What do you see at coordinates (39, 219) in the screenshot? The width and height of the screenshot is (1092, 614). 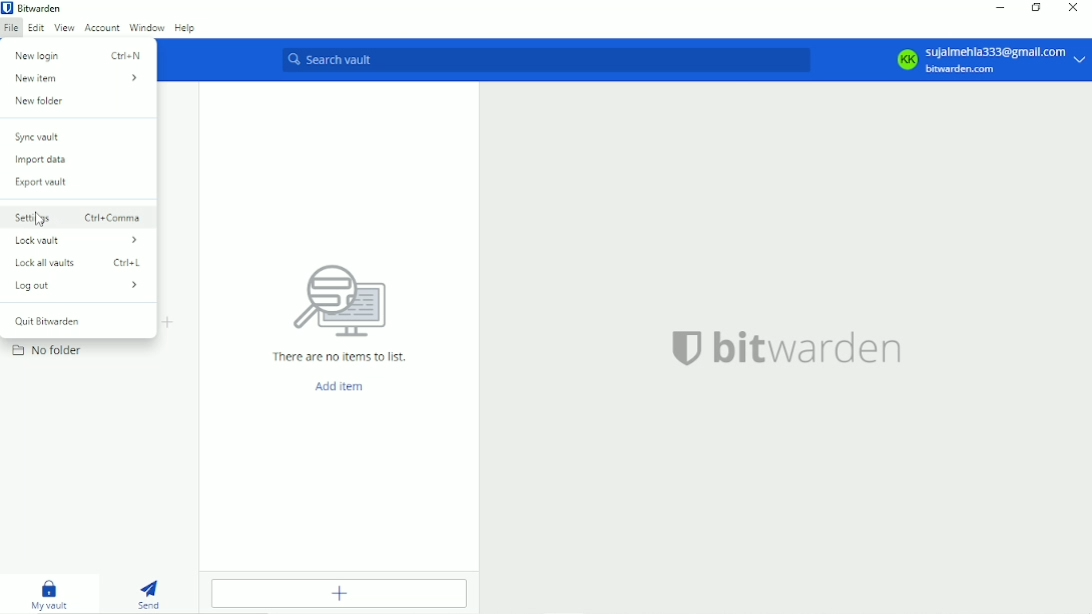 I see `Cursor` at bounding box center [39, 219].